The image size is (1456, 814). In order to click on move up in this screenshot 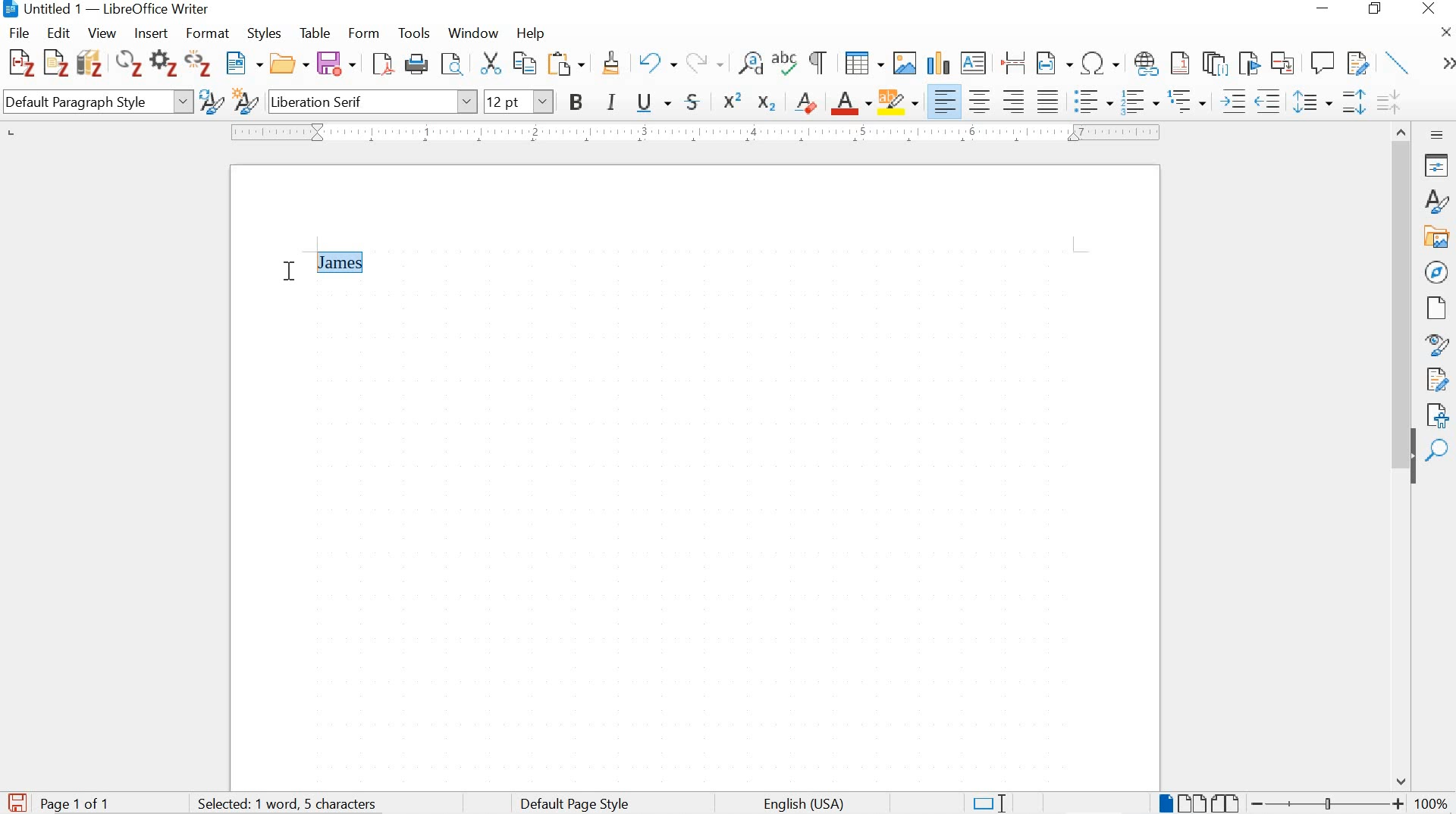, I will do `click(1403, 129)`.